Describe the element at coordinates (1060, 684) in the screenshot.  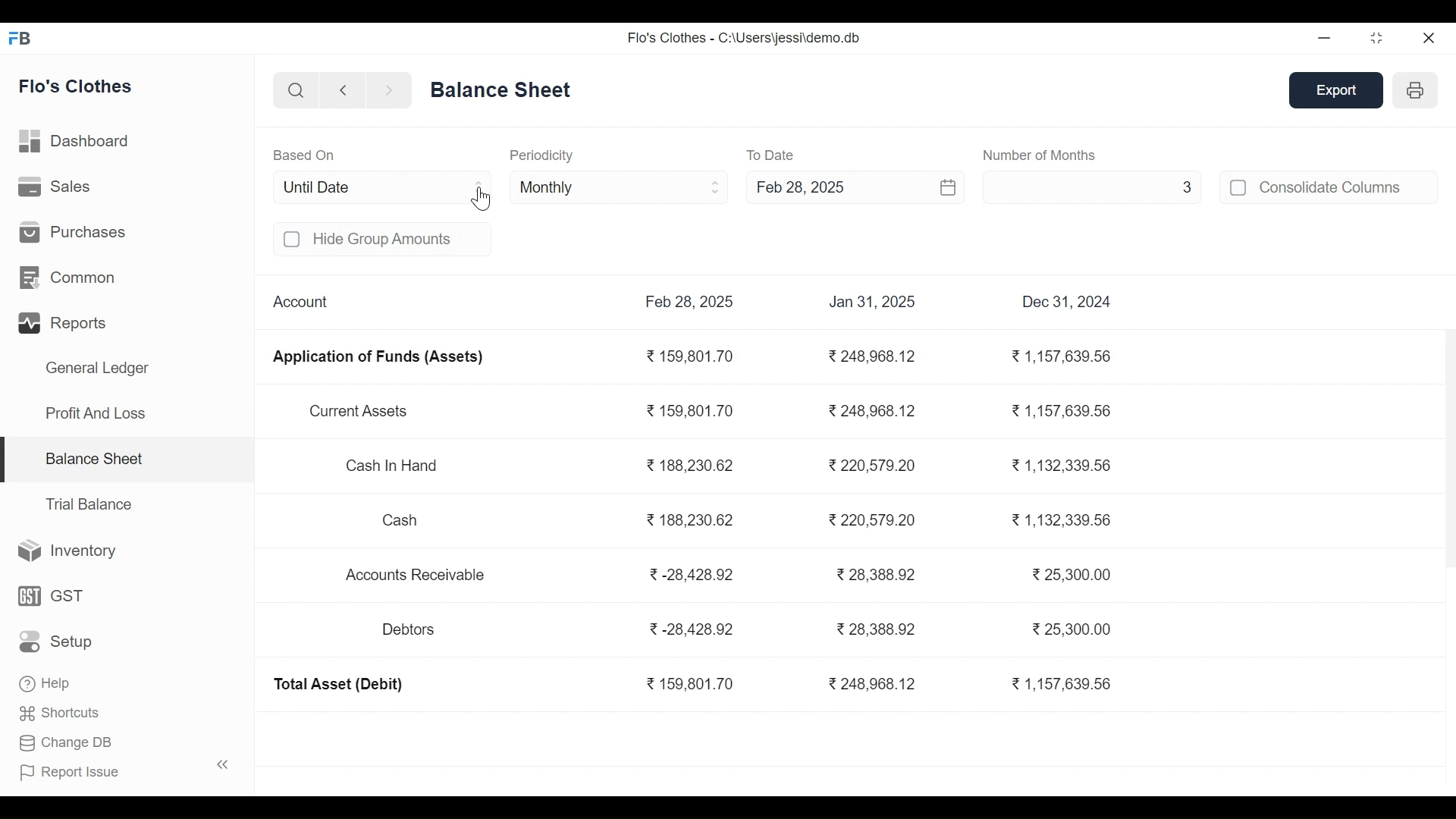
I see `1,157,639.56` at that location.